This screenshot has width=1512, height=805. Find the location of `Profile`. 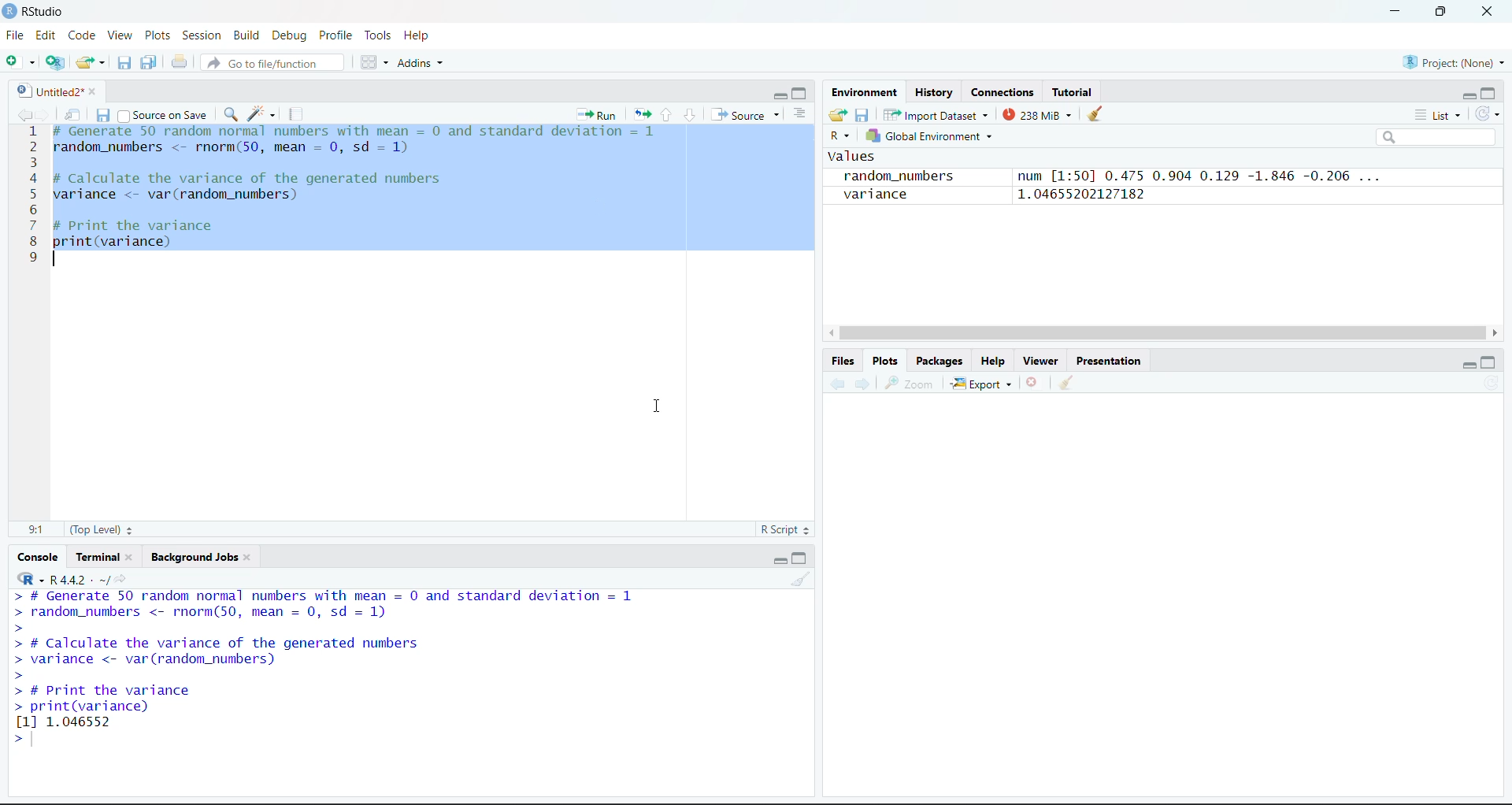

Profile is located at coordinates (337, 35).